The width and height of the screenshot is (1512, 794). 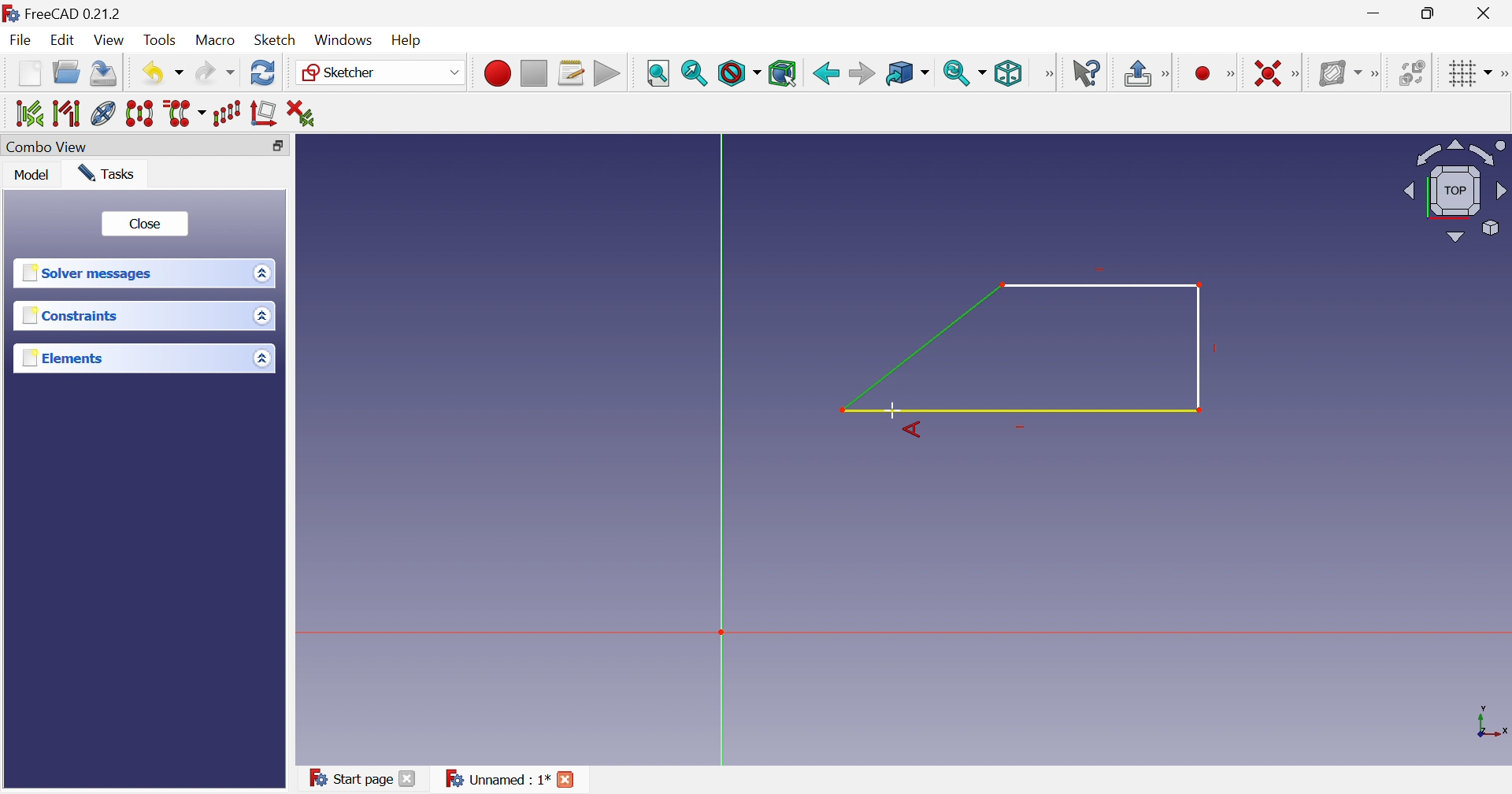 I want to click on File, so click(x=20, y=42).